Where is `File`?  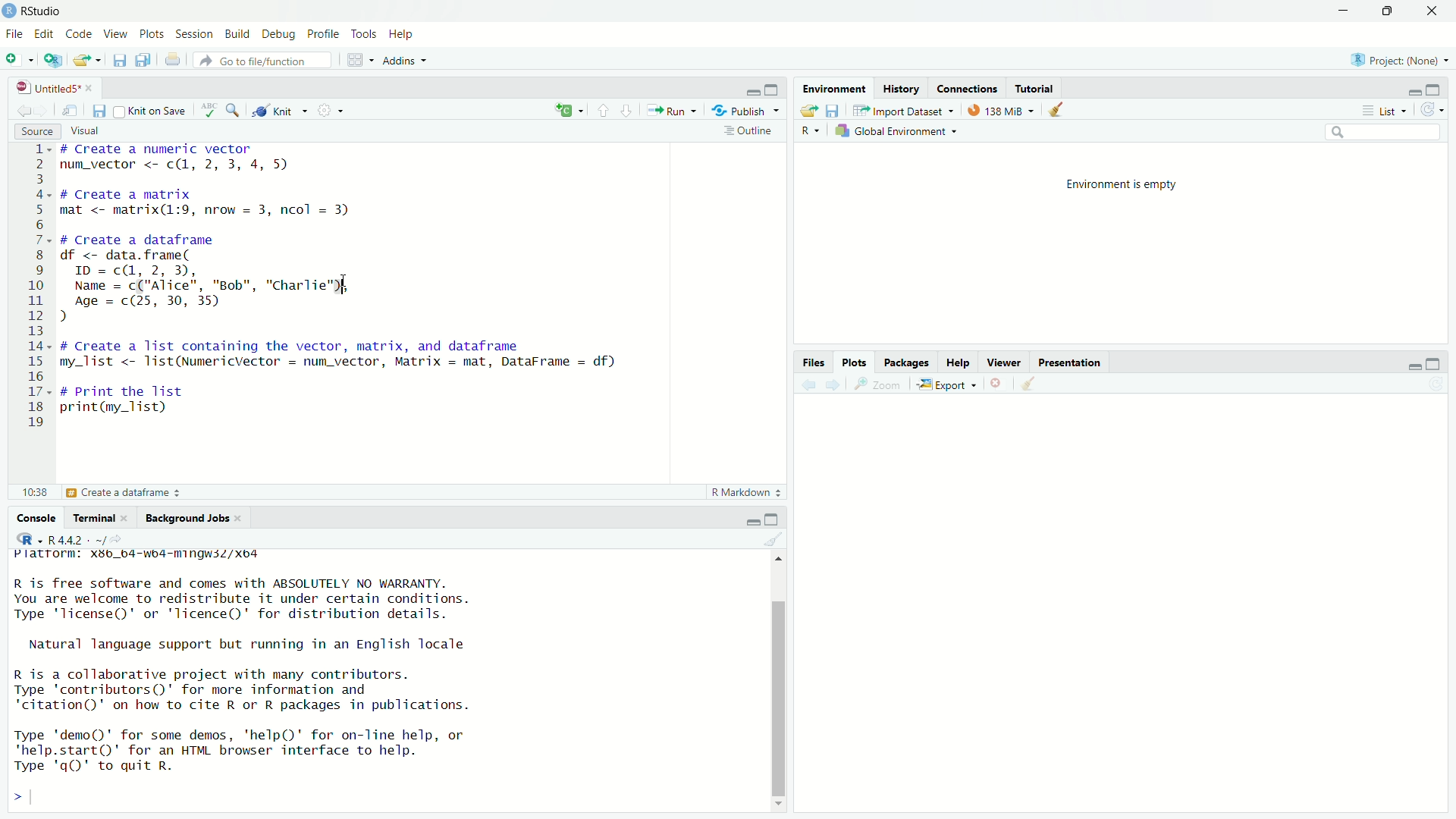 File is located at coordinates (14, 33).